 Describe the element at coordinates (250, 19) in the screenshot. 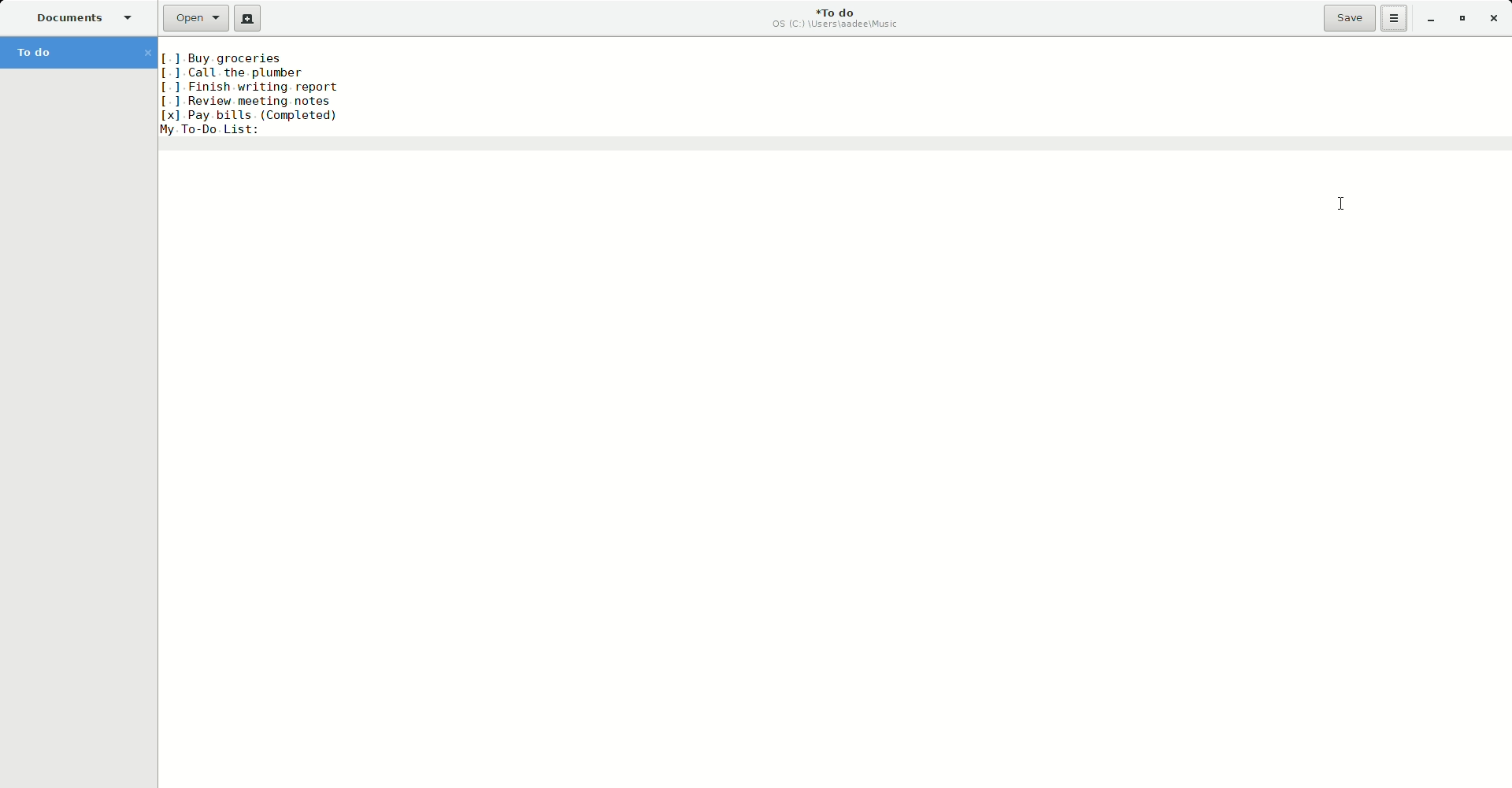

I see `New` at that location.